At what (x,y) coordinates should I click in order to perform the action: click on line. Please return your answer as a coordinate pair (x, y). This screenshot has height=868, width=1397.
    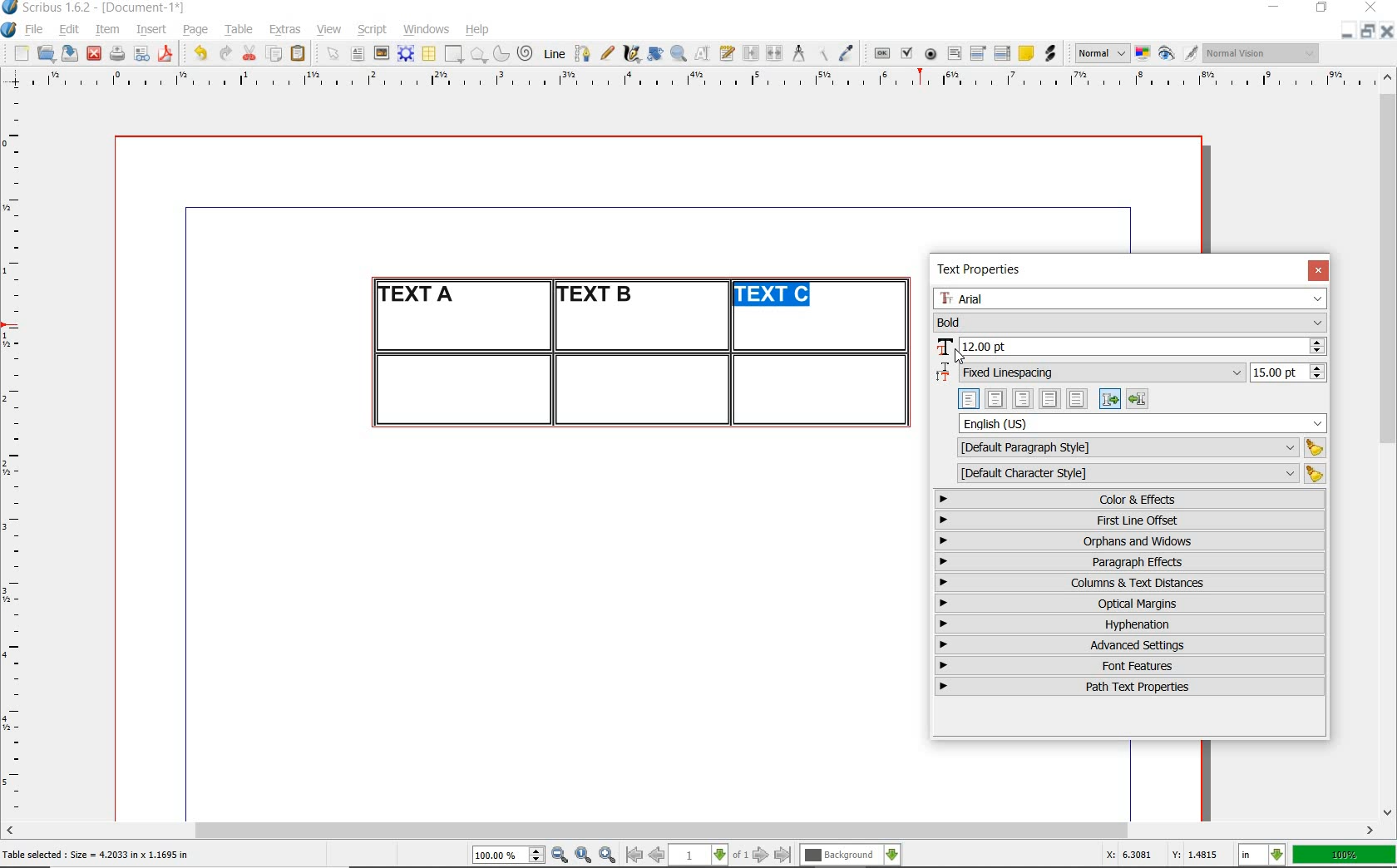
    Looking at the image, I should click on (552, 53).